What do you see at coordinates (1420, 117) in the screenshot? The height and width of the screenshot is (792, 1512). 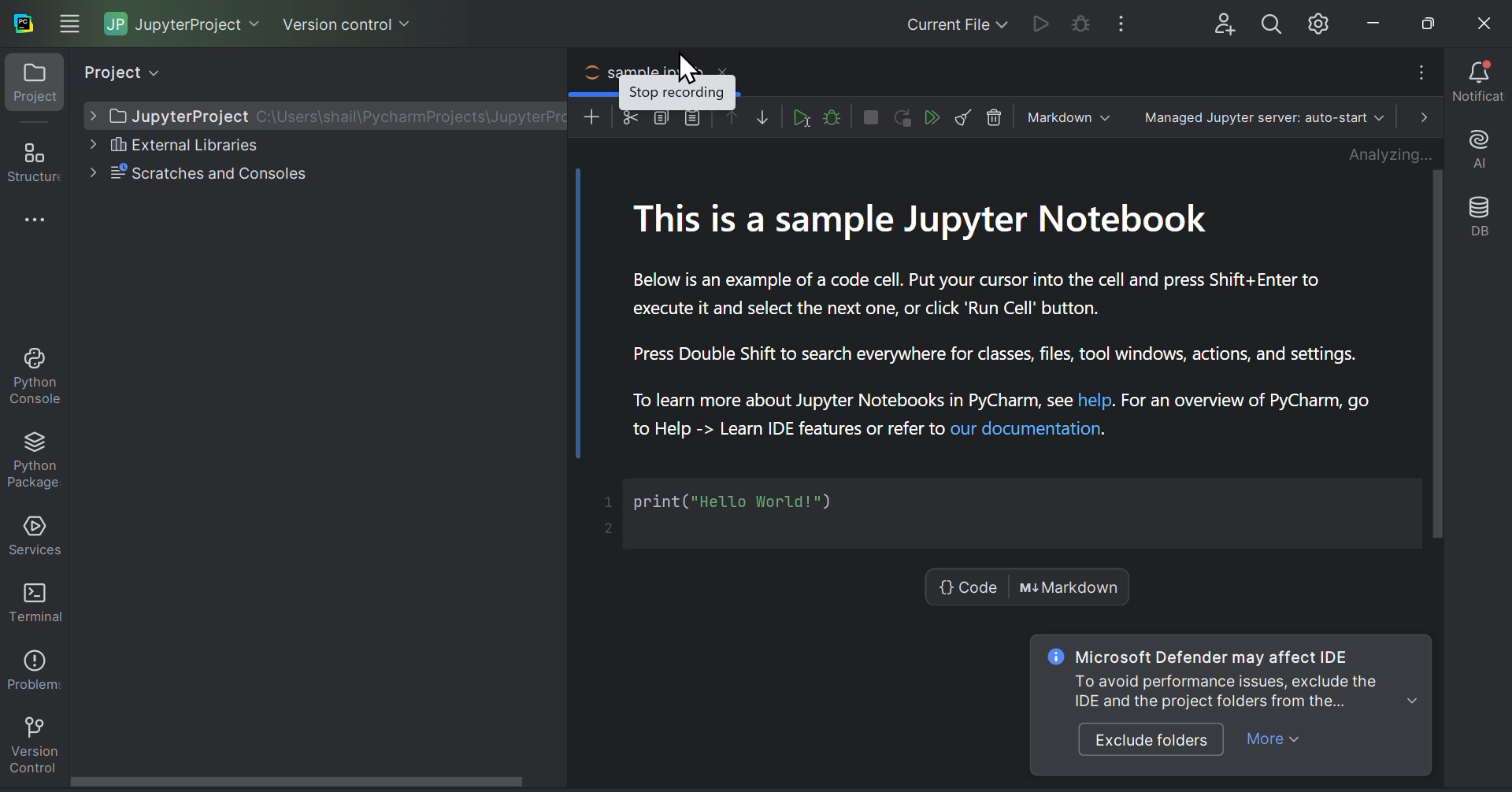 I see `next` at bounding box center [1420, 117].